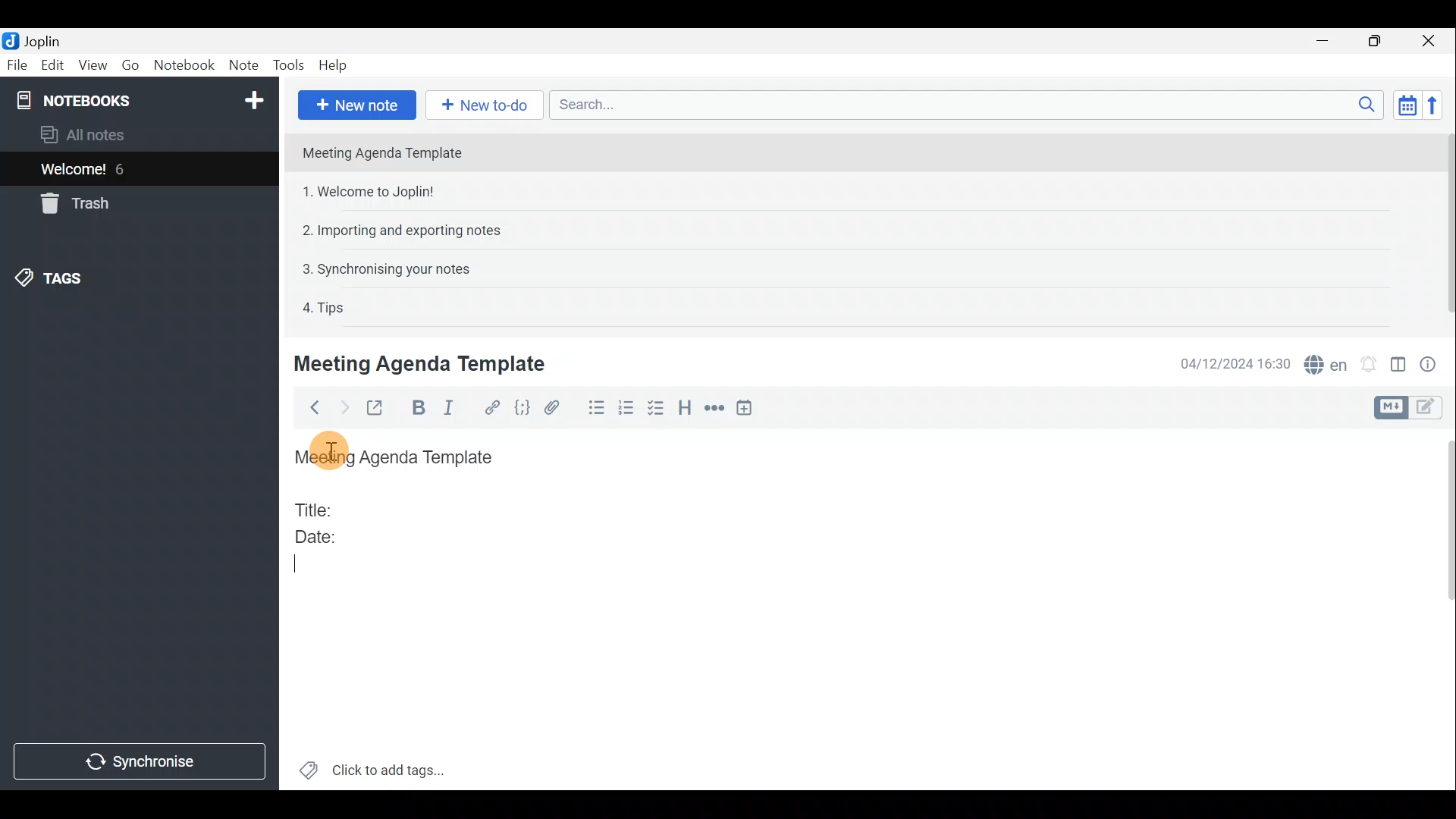 This screenshot has height=819, width=1456. I want to click on Note properties, so click(1433, 363).